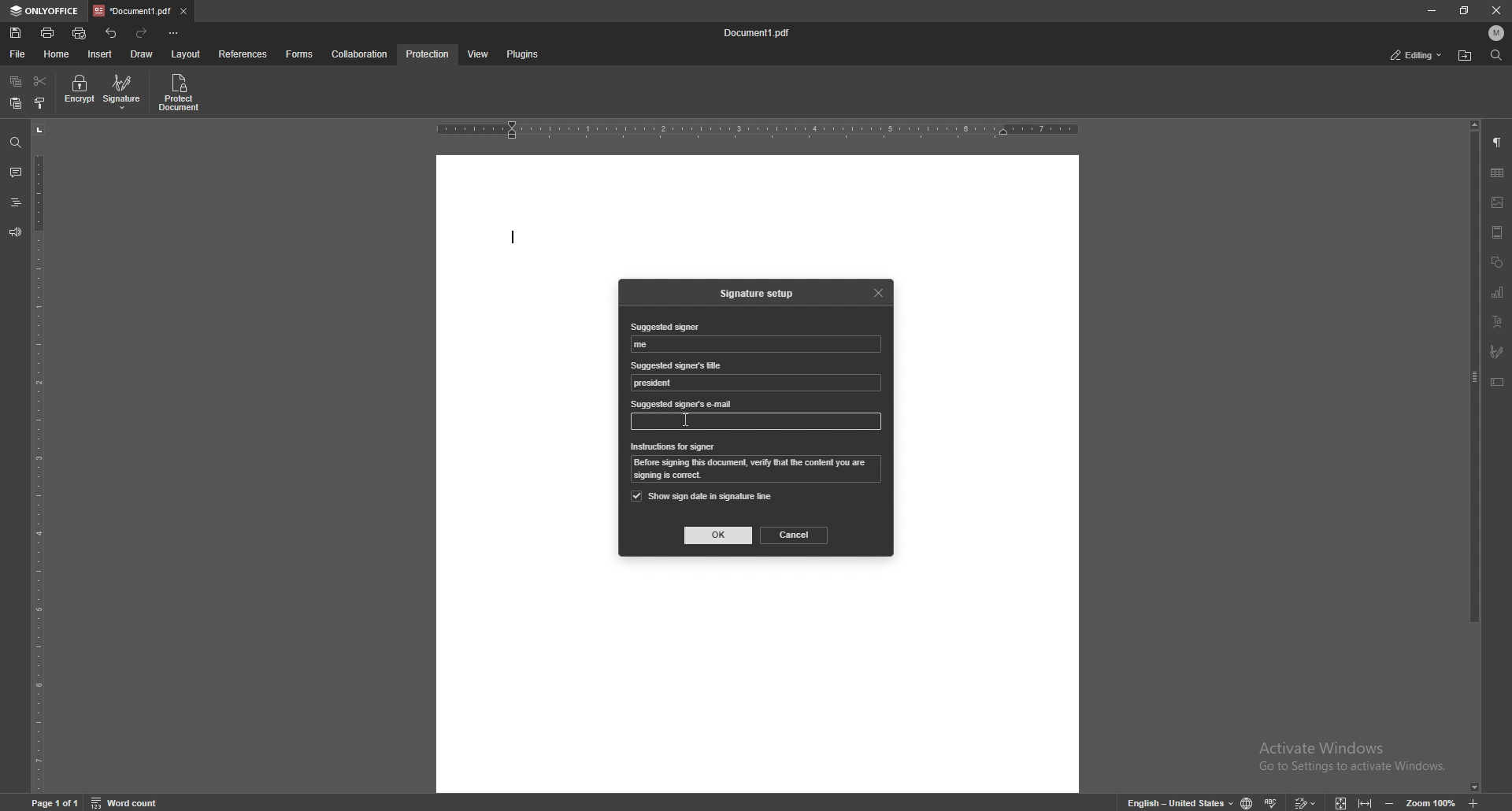 The height and width of the screenshot is (811, 1512). Describe the element at coordinates (49, 32) in the screenshot. I see `print` at that location.